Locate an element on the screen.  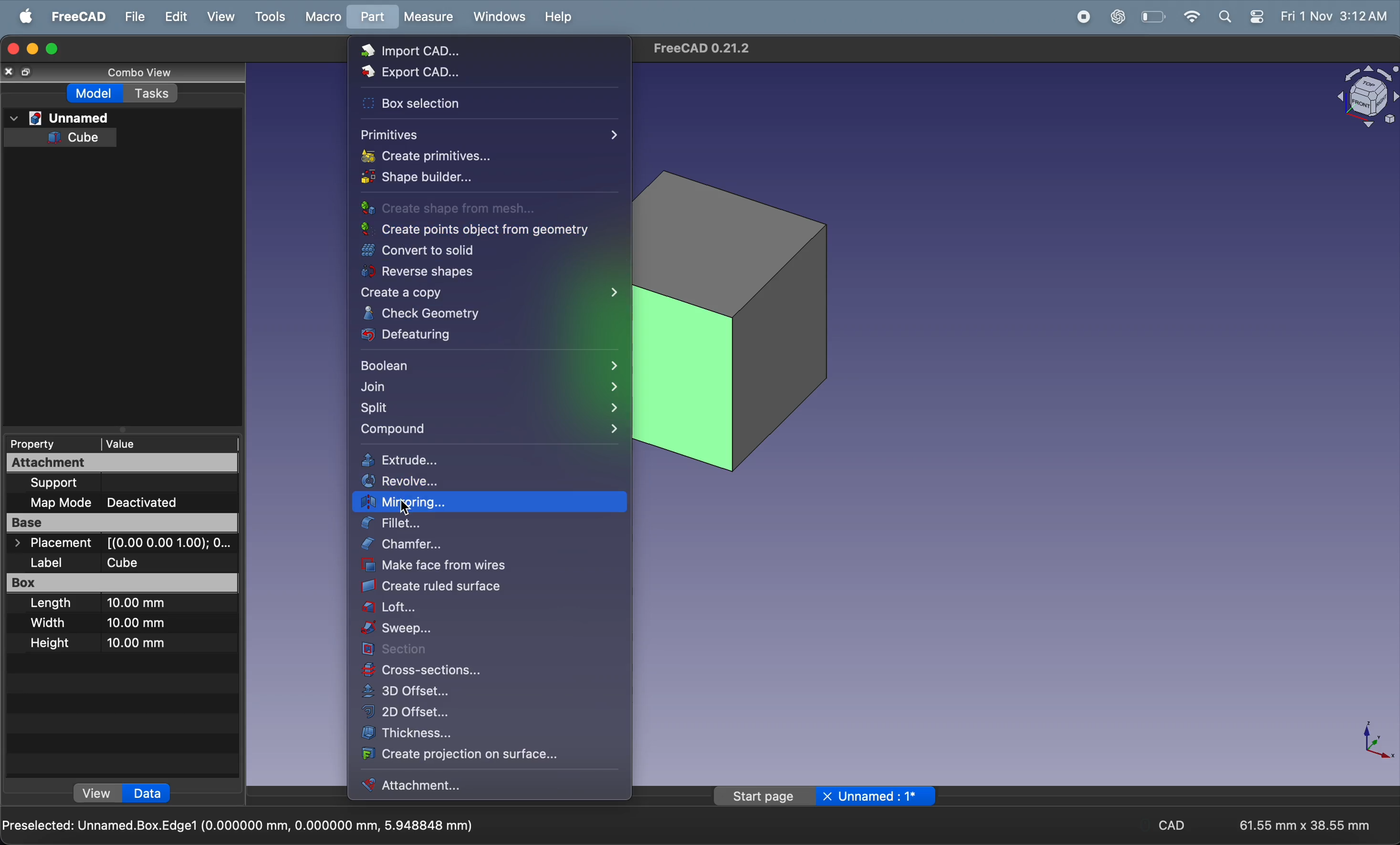
unnamed is located at coordinates (881, 797).